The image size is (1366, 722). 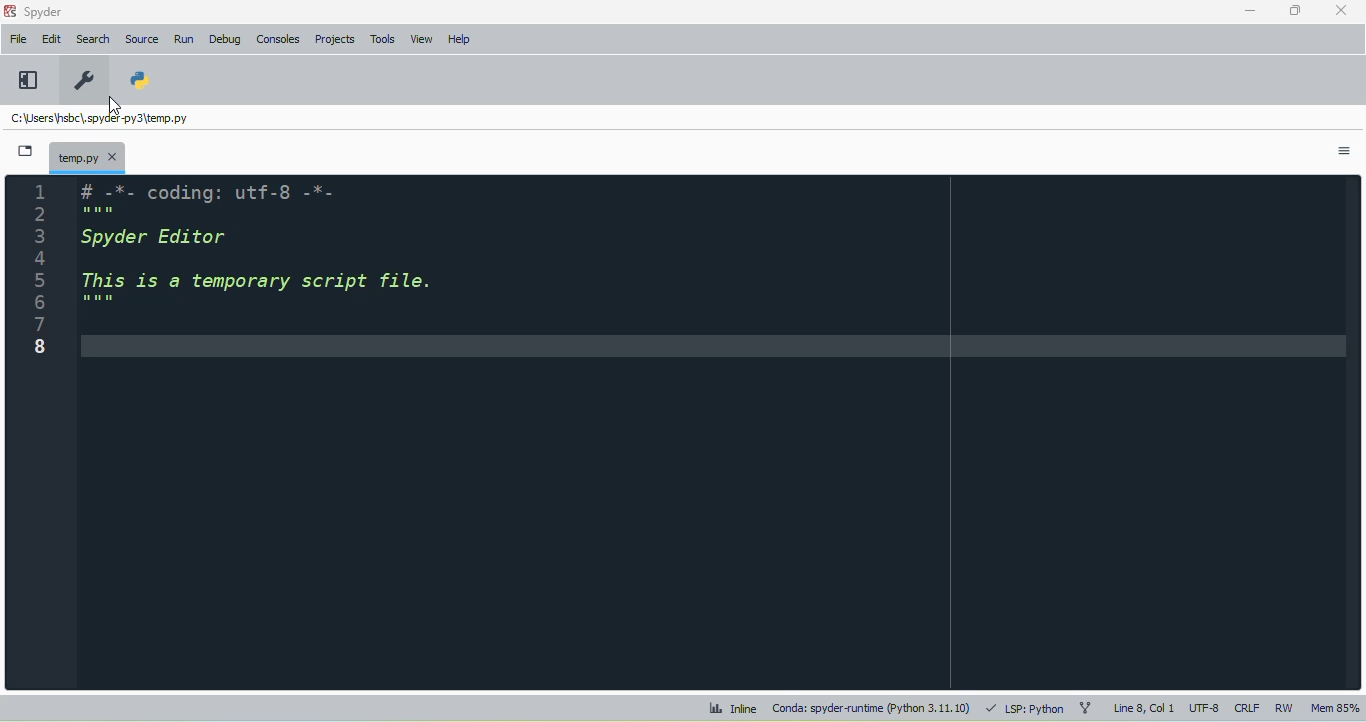 I want to click on conda: spyder-runtime (python 3. 11. 10), so click(x=871, y=708).